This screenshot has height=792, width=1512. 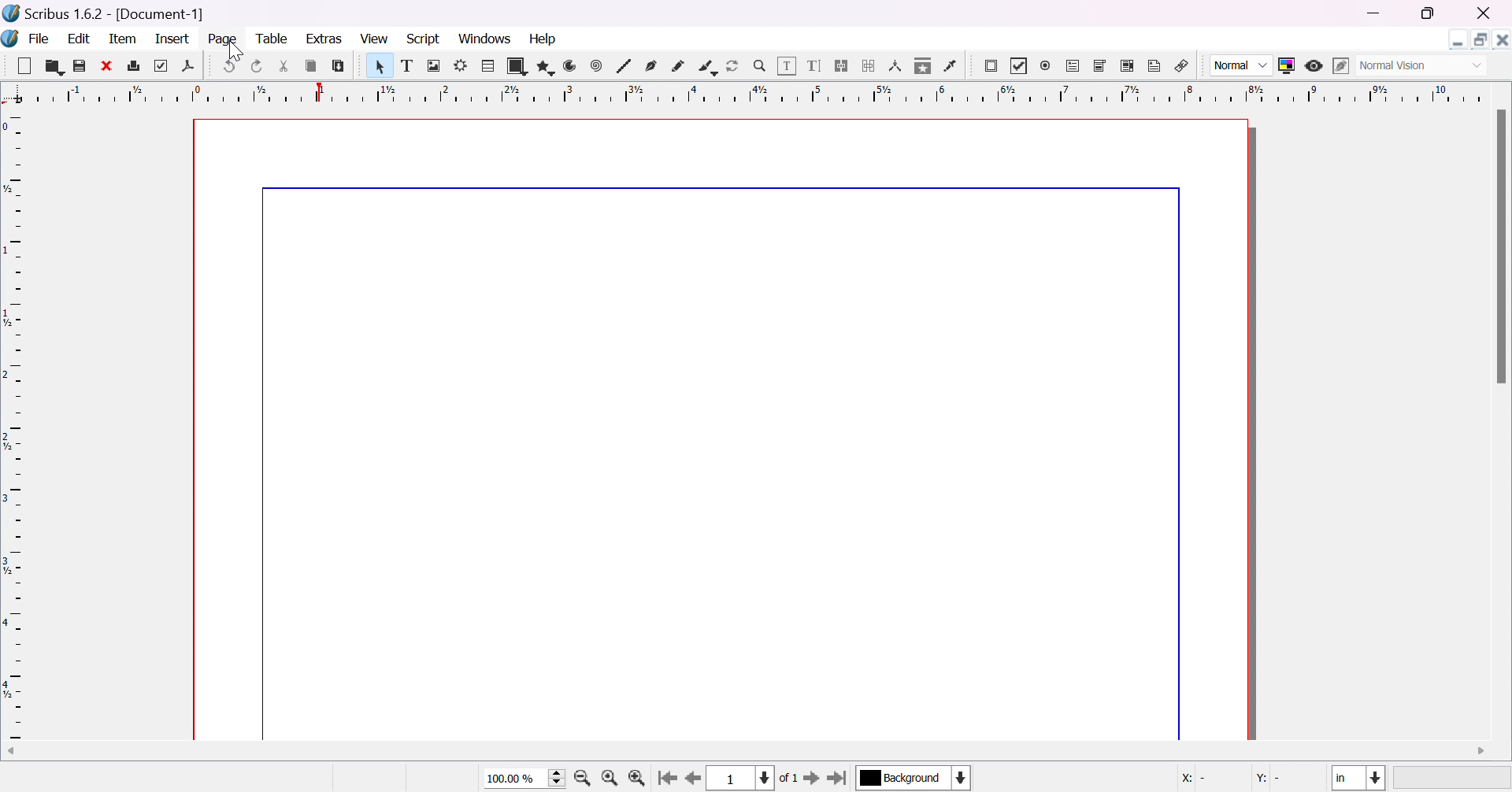 What do you see at coordinates (53, 65) in the screenshot?
I see `open` at bounding box center [53, 65].